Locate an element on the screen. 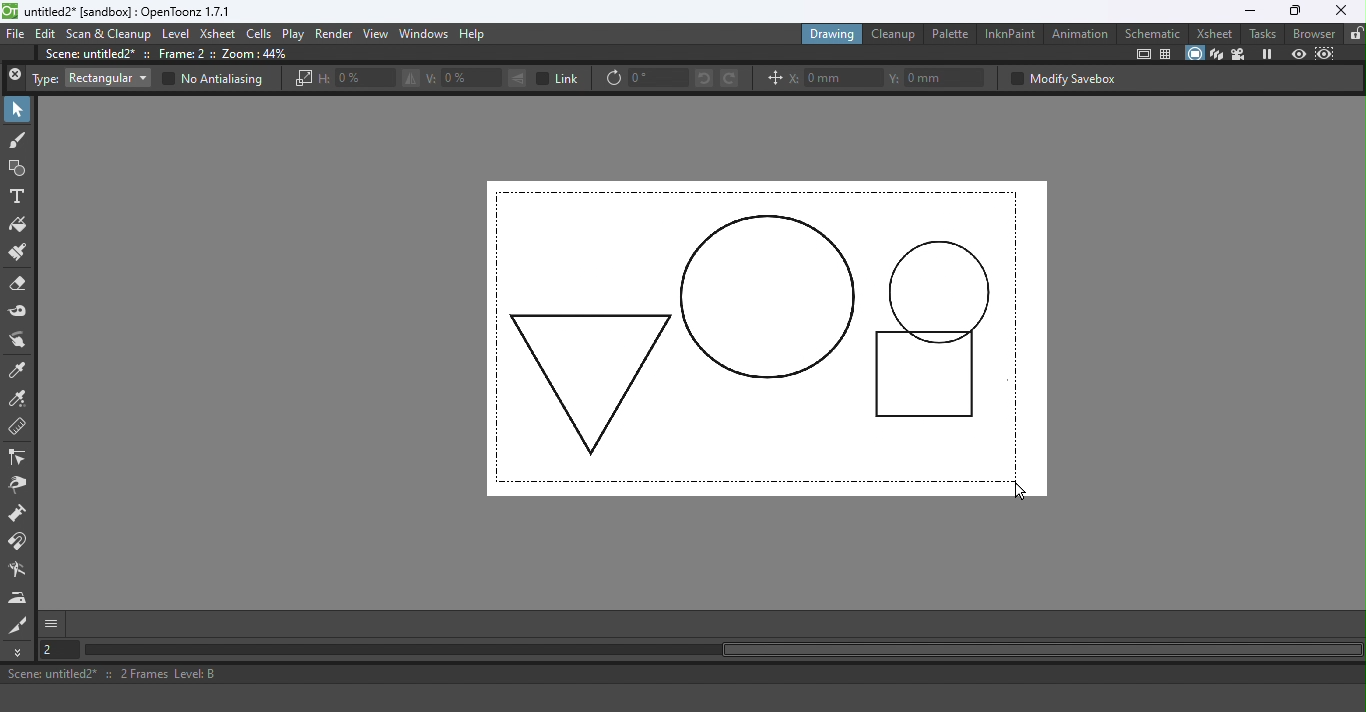 The height and width of the screenshot is (712, 1366). Scale is located at coordinates (302, 79).